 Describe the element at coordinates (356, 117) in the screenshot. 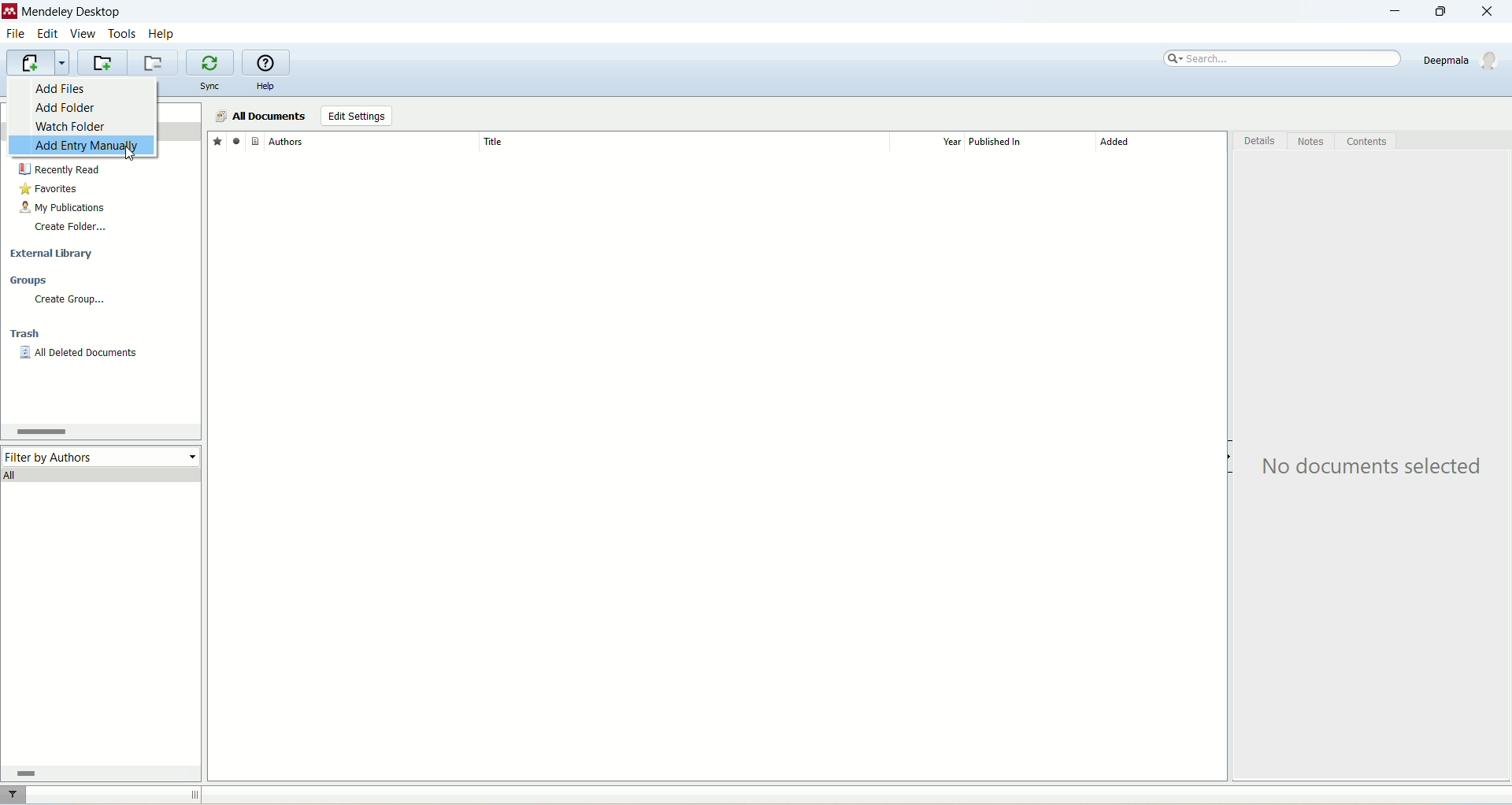

I see `edit settings` at that location.